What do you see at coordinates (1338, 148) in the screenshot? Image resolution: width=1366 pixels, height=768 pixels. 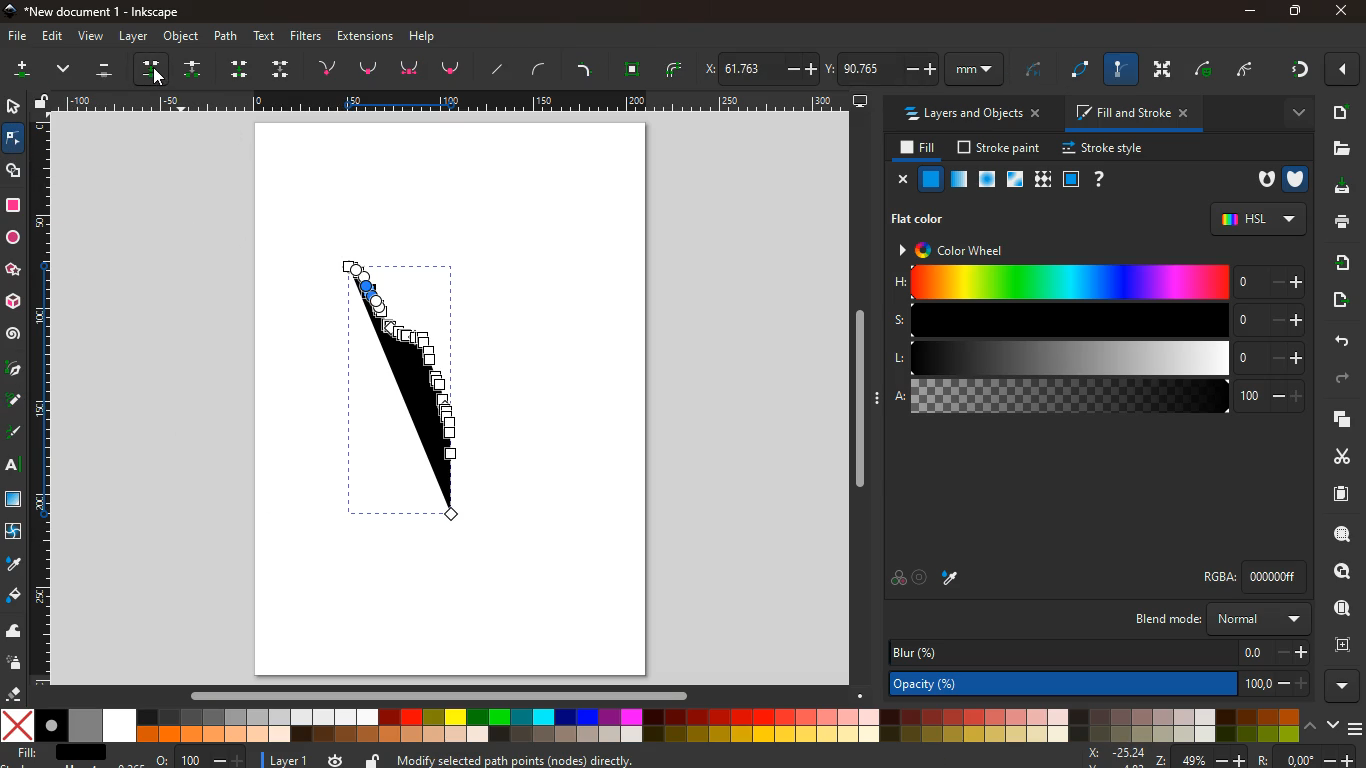 I see `files` at bounding box center [1338, 148].